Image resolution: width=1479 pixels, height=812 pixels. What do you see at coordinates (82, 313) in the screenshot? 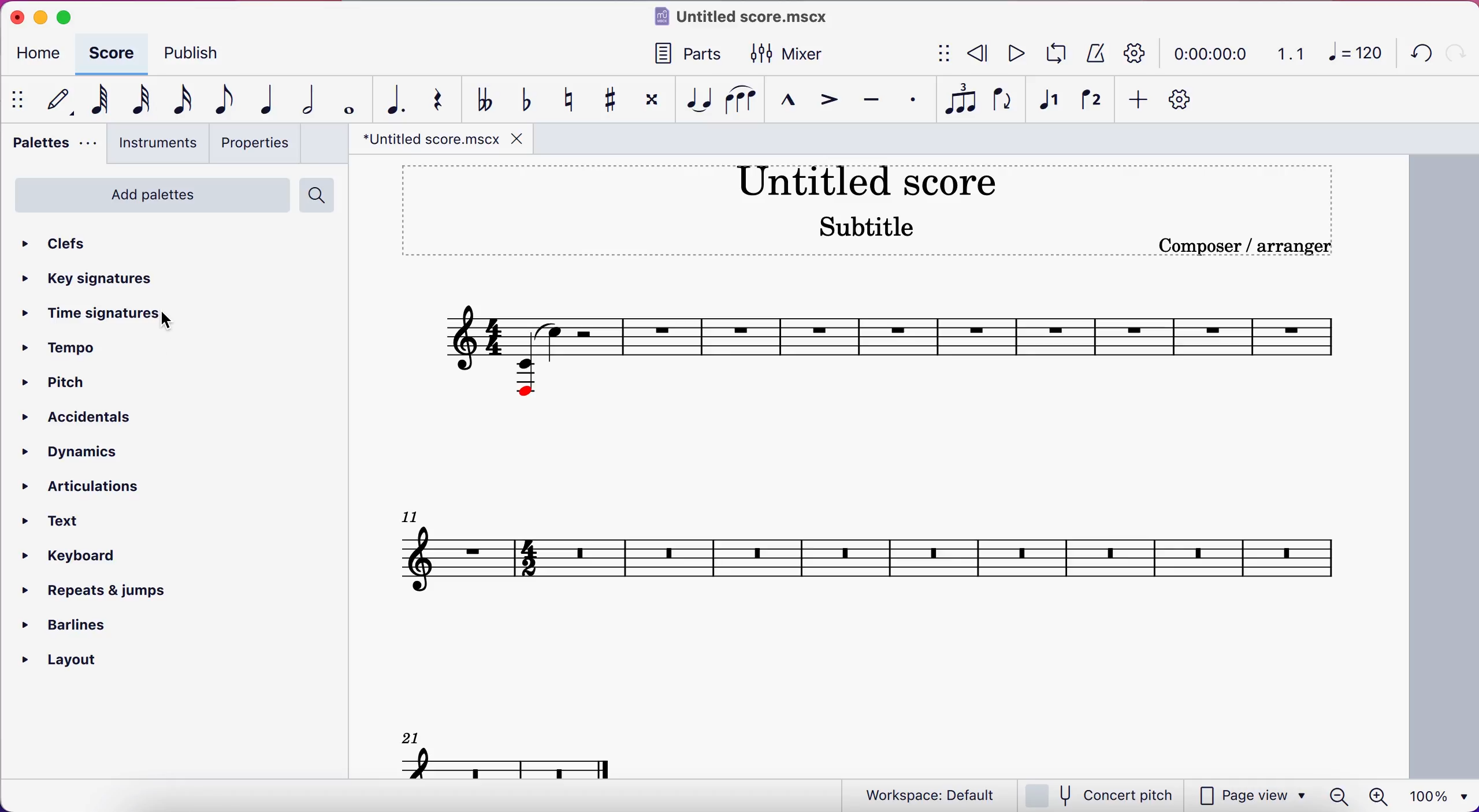
I see `time signatures` at bounding box center [82, 313].